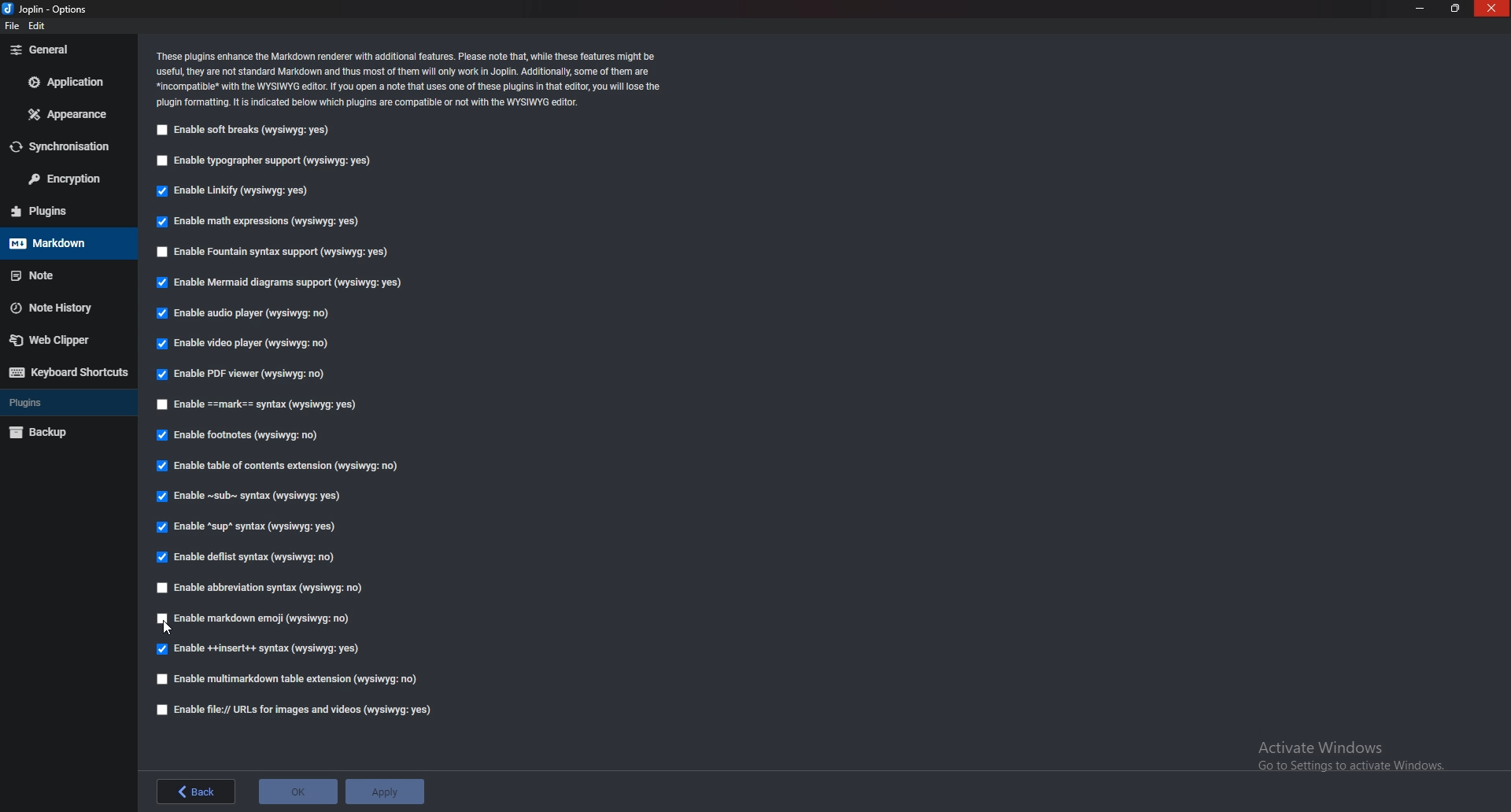 This screenshot has height=812, width=1511. I want to click on Enable table of contents extension, so click(283, 467).